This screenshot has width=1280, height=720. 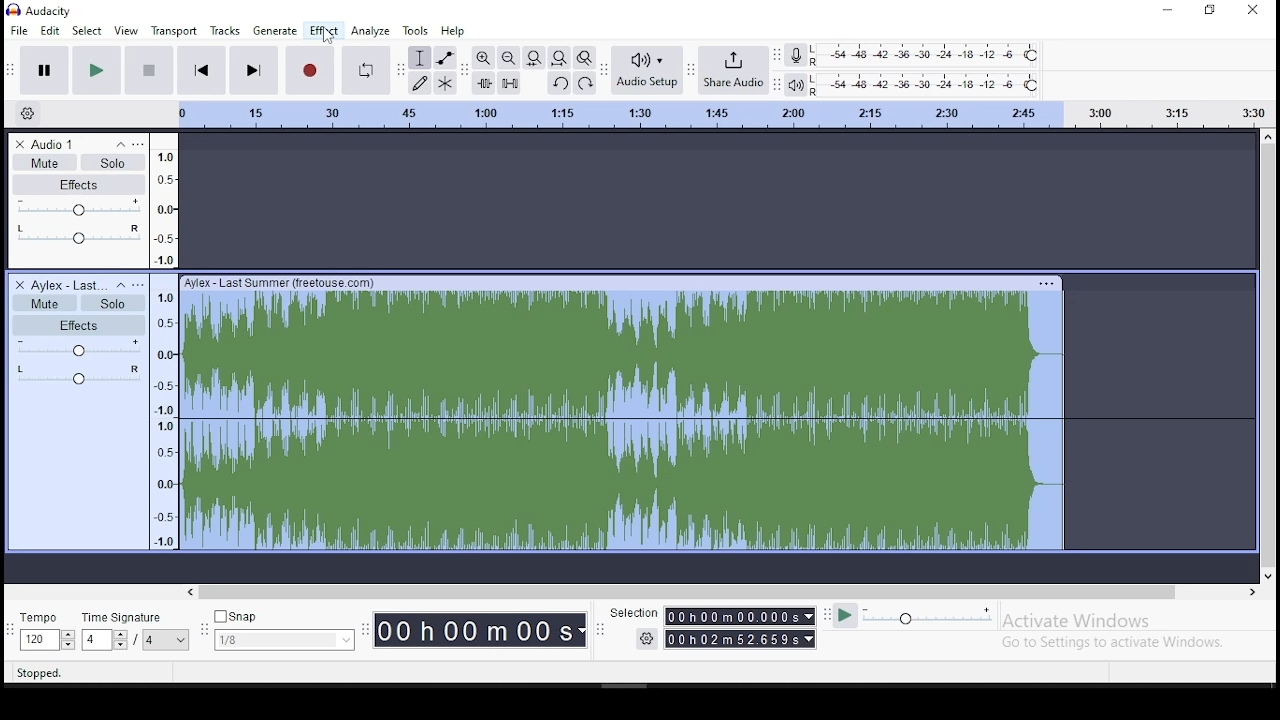 I want to click on generate, so click(x=276, y=32).